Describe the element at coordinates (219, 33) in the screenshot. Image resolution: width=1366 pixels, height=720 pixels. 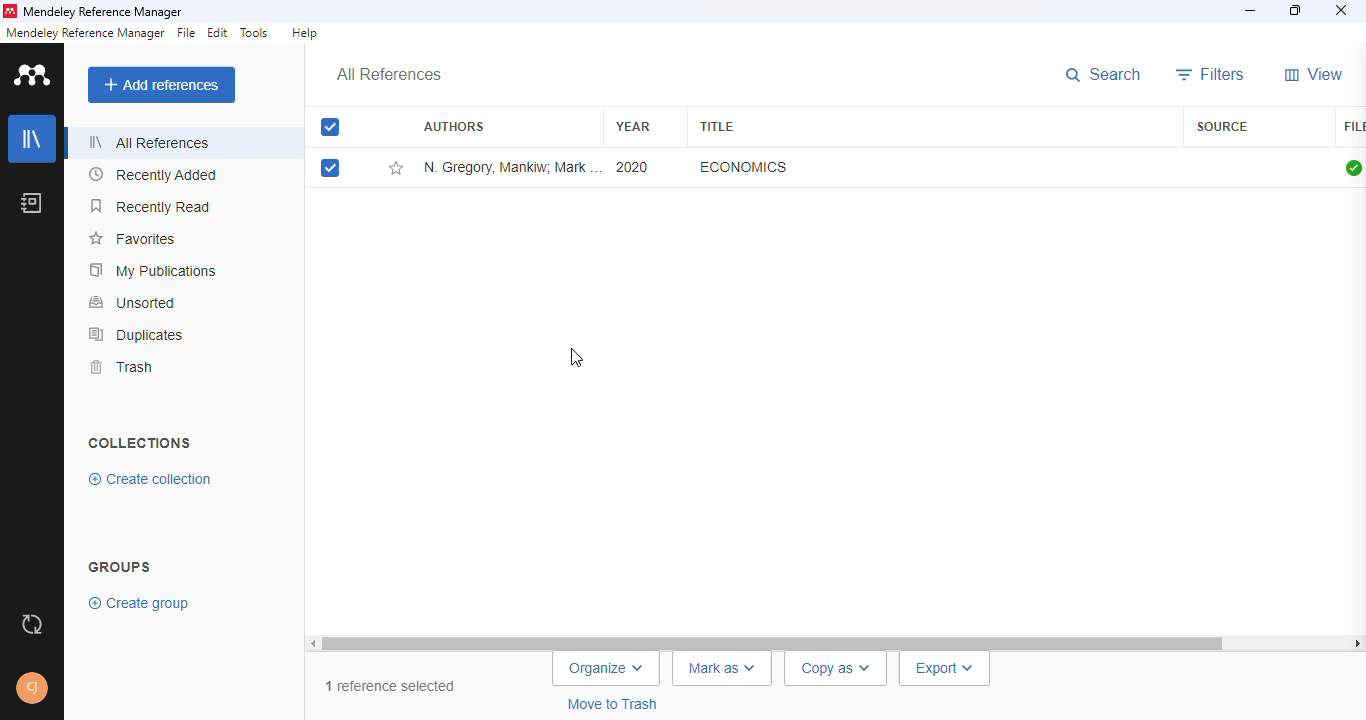
I see `edit` at that location.